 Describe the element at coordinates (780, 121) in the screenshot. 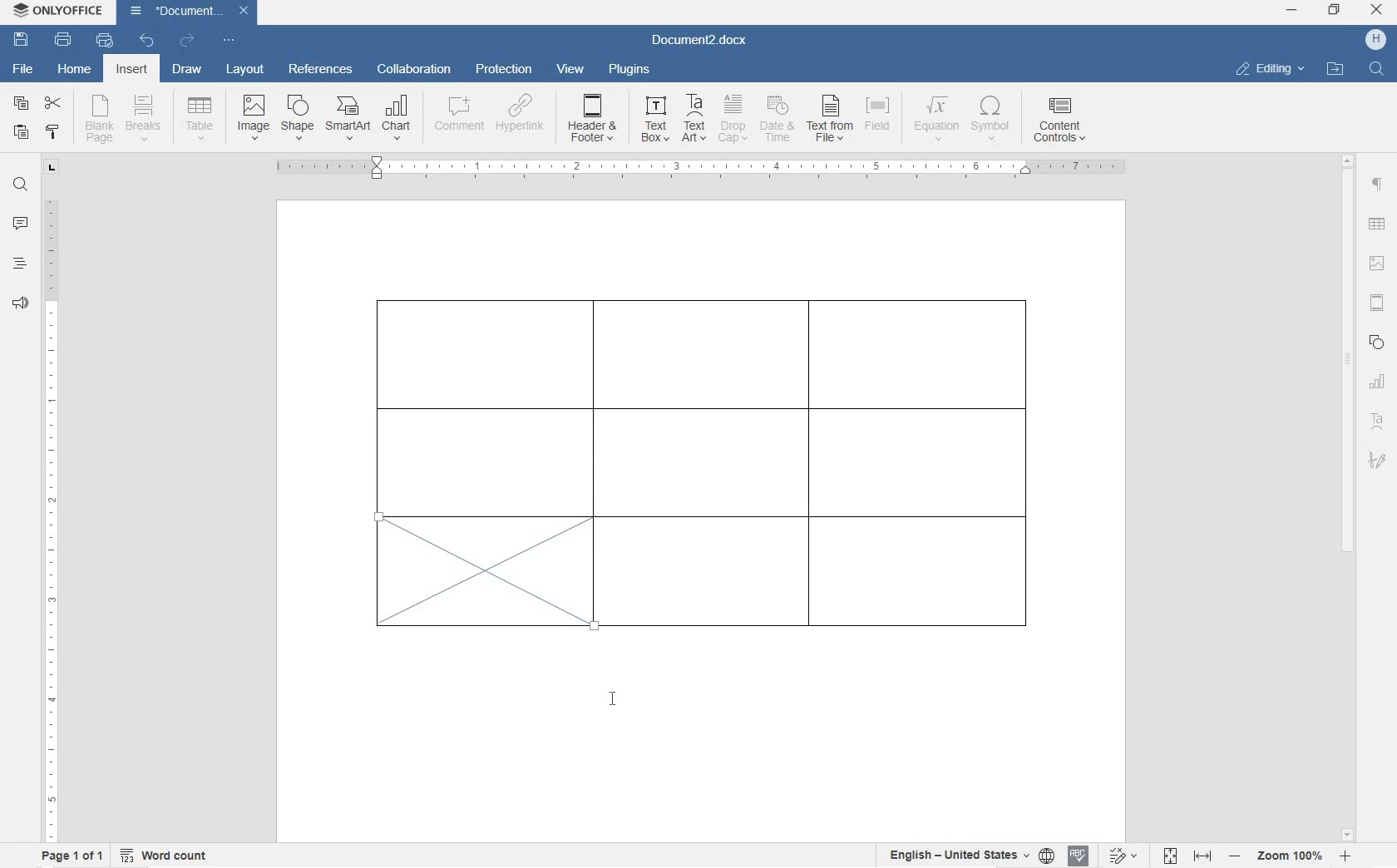

I see `DATE & TIME` at that location.